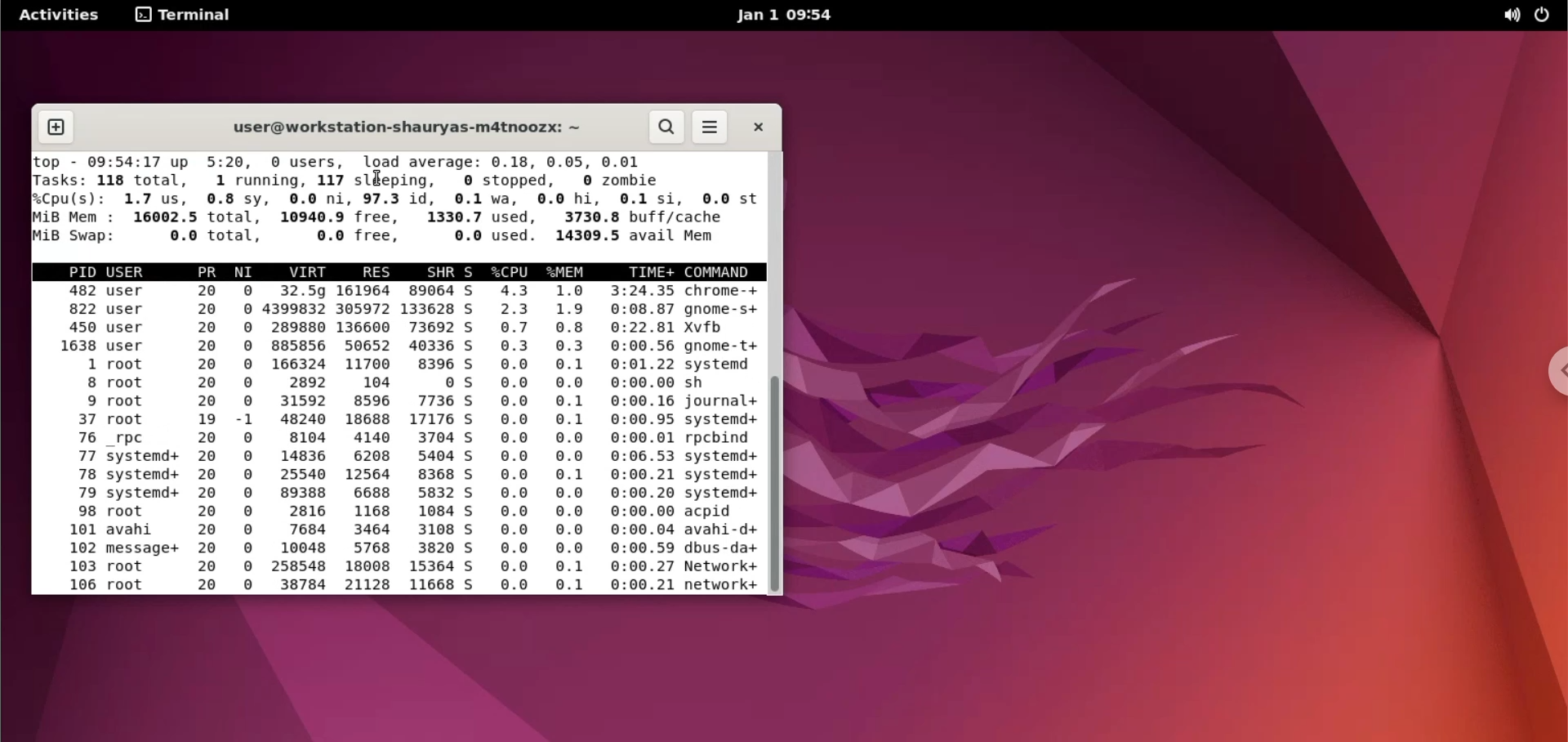 The image size is (1568, 742). What do you see at coordinates (313, 271) in the screenshot?
I see `VIRT` at bounding box center [313, 271].